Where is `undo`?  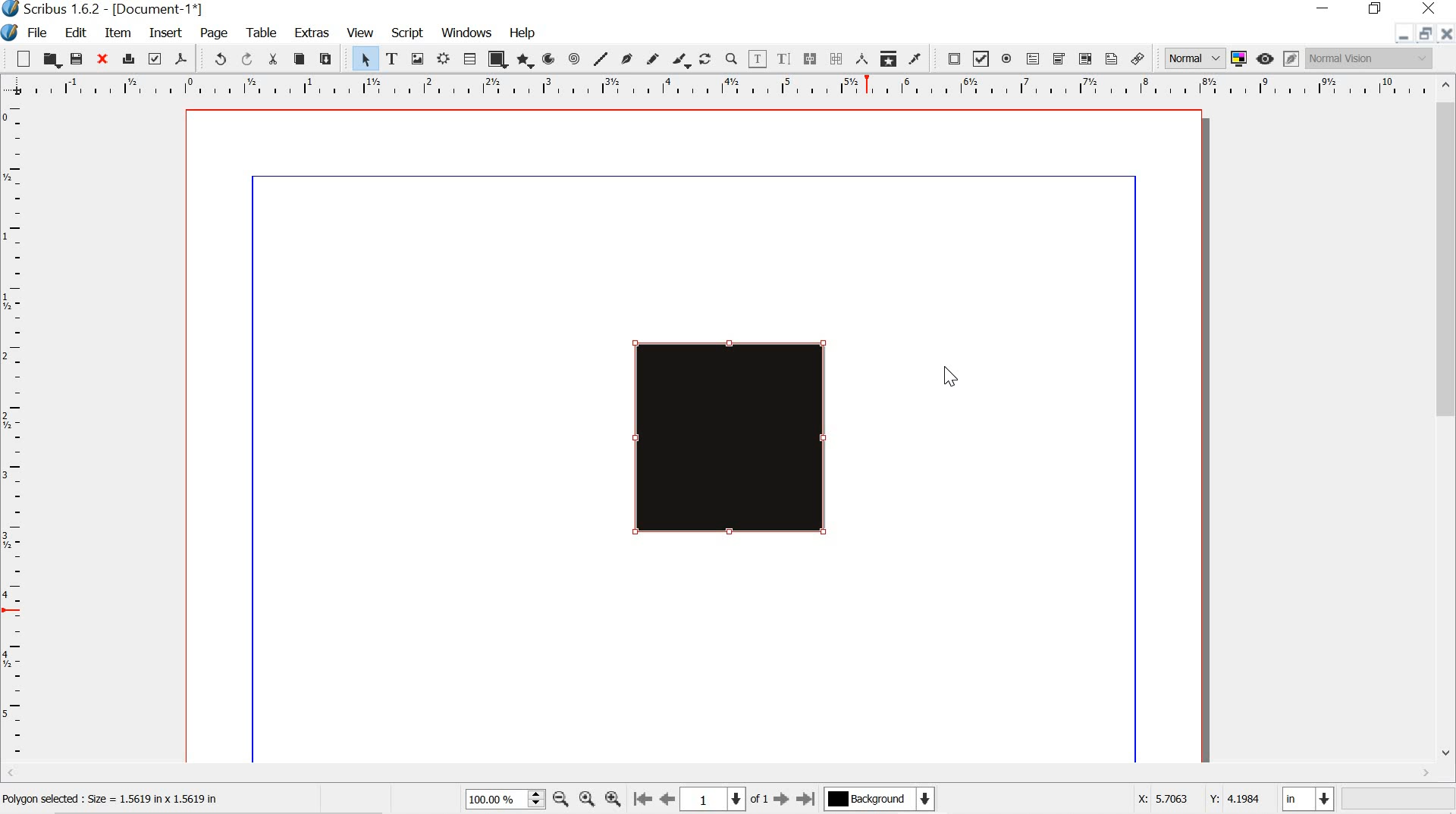
undo is located at coordinates (218, 61).